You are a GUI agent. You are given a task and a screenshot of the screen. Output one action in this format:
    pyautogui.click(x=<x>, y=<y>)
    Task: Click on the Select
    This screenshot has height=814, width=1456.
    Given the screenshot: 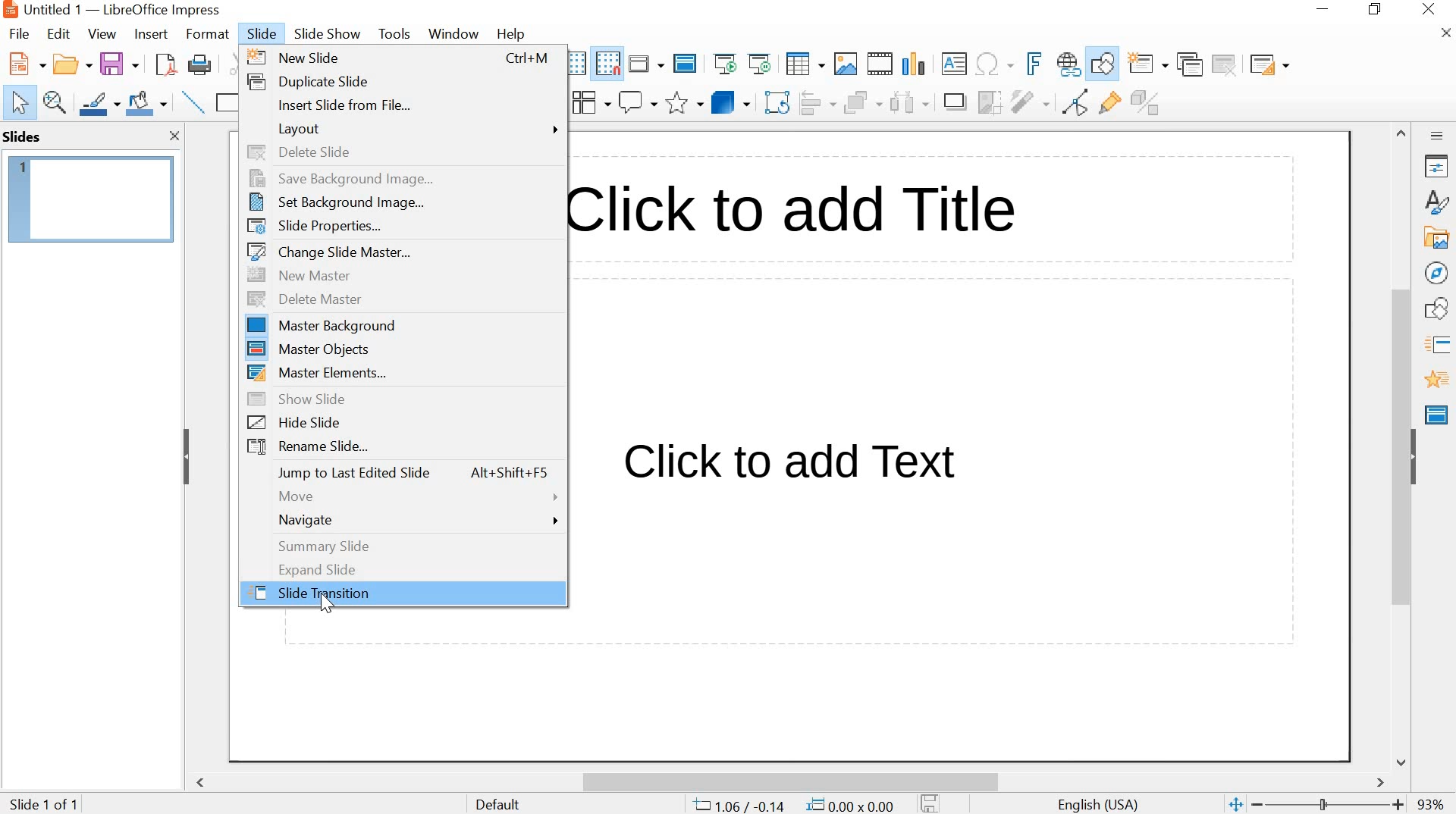 What is the action you would take?
    pyautogui.click(x=15, y=103)
    